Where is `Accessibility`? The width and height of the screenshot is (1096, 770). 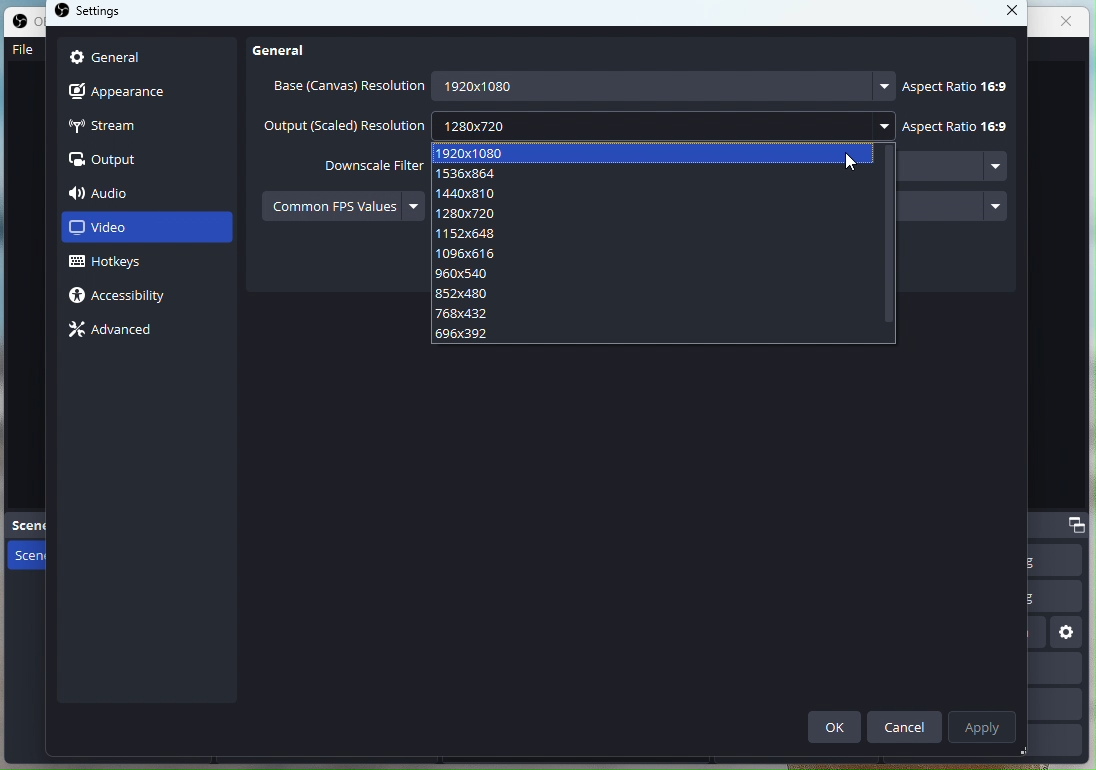
Accessibility is located at coordinates (128, 299).